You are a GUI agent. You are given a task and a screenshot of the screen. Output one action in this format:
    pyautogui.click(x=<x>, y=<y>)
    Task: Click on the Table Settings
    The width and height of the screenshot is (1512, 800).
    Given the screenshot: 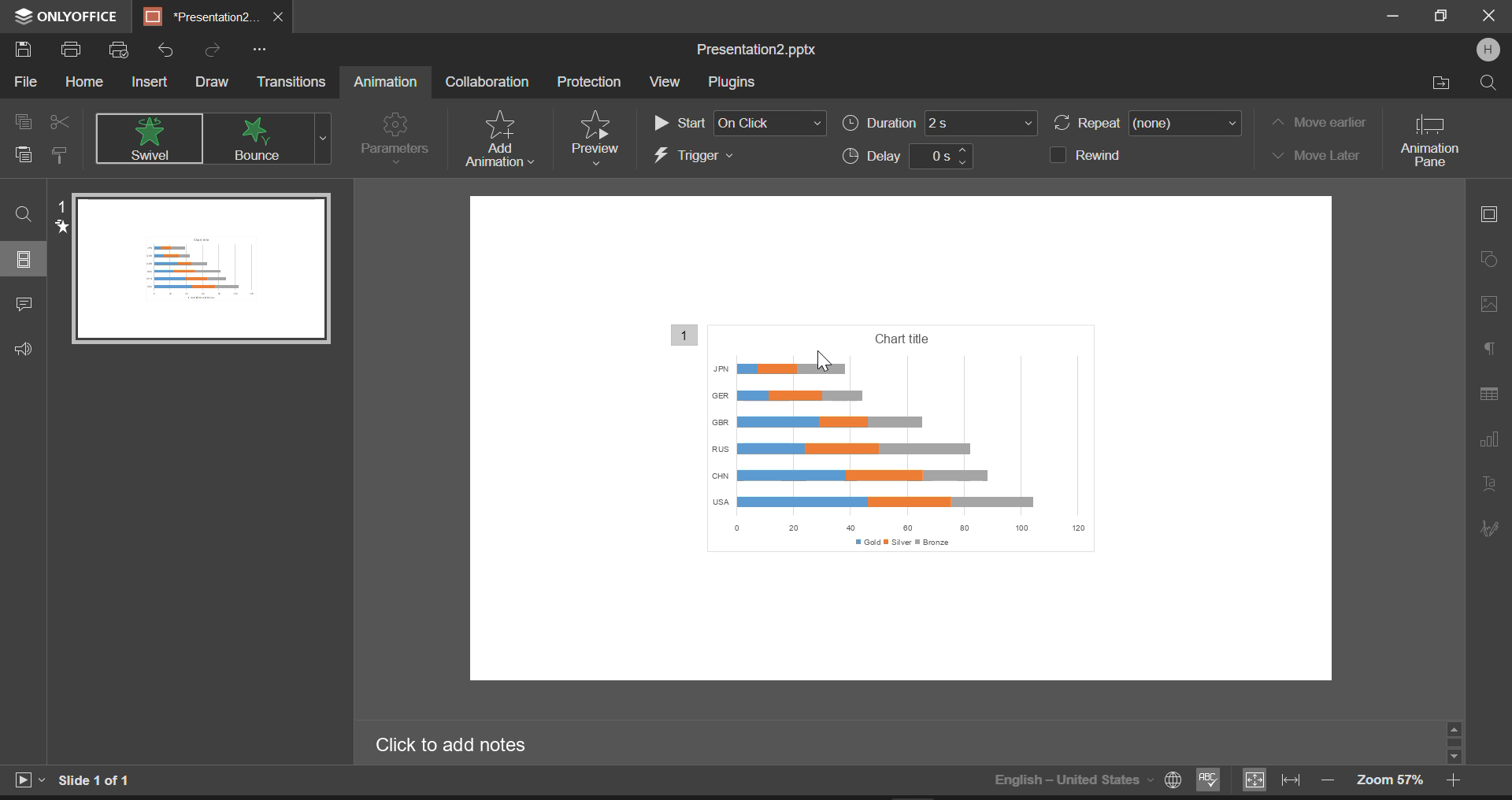 What is the action you would take?
    pyautogui.click(x=1489, y=394)
    